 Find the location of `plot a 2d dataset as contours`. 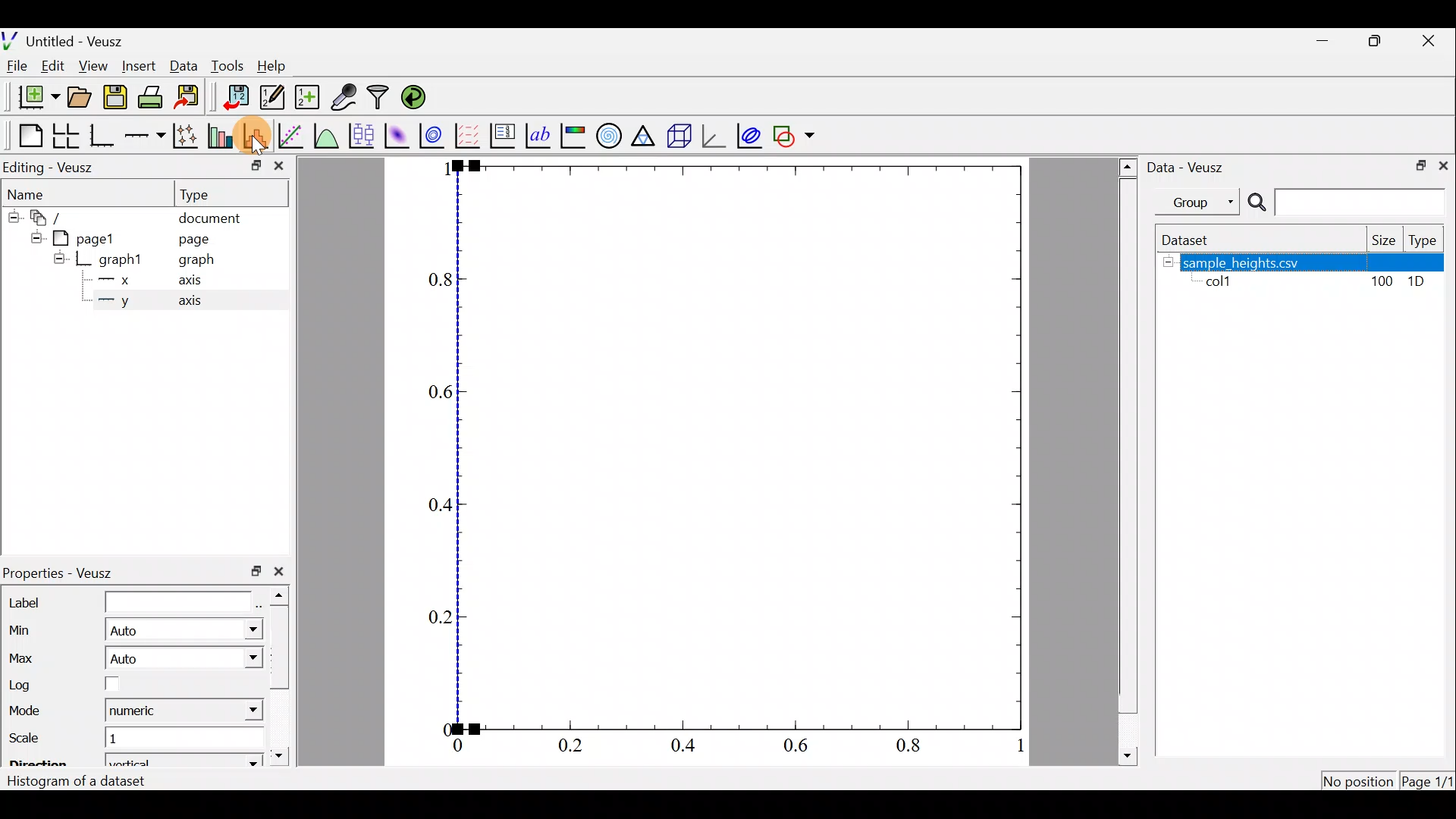

plot a 2d dataset as contours is located at coordinates (435, 136).